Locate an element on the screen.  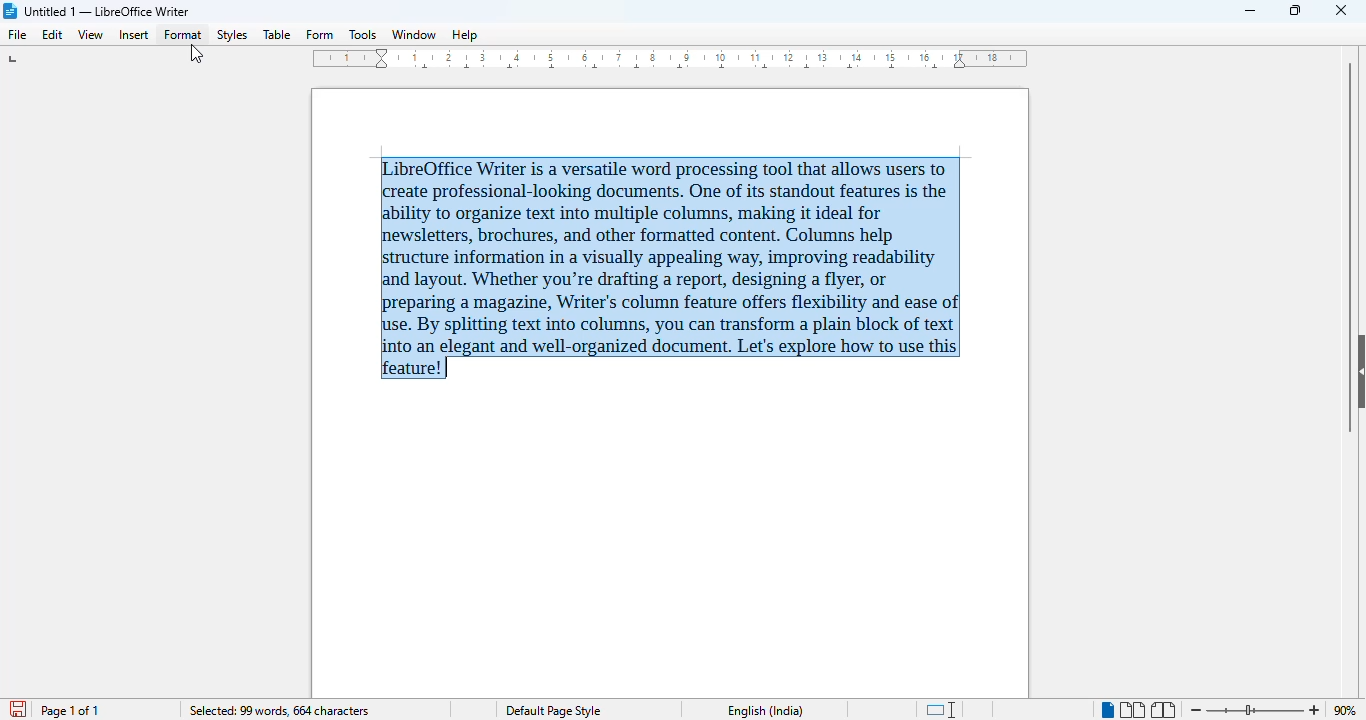
window is located at coordinates (414, 35).